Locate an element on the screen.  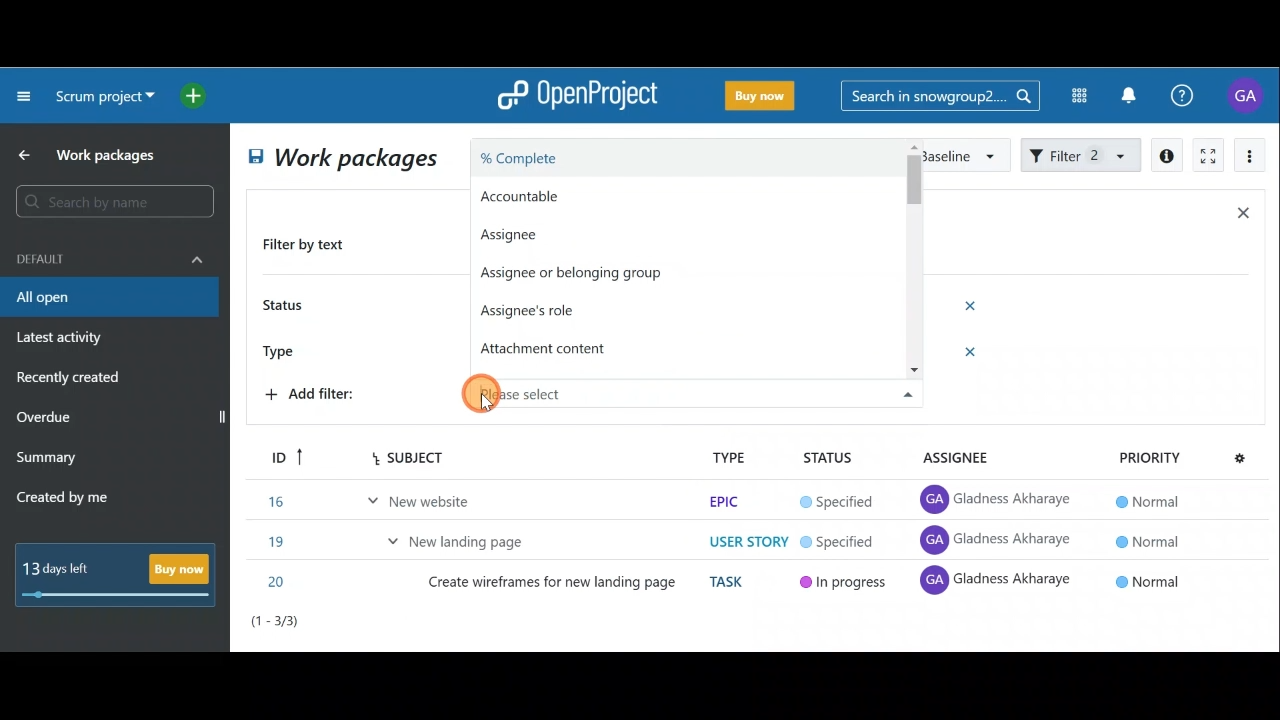
Search bar is located at coordinates (940, 94).